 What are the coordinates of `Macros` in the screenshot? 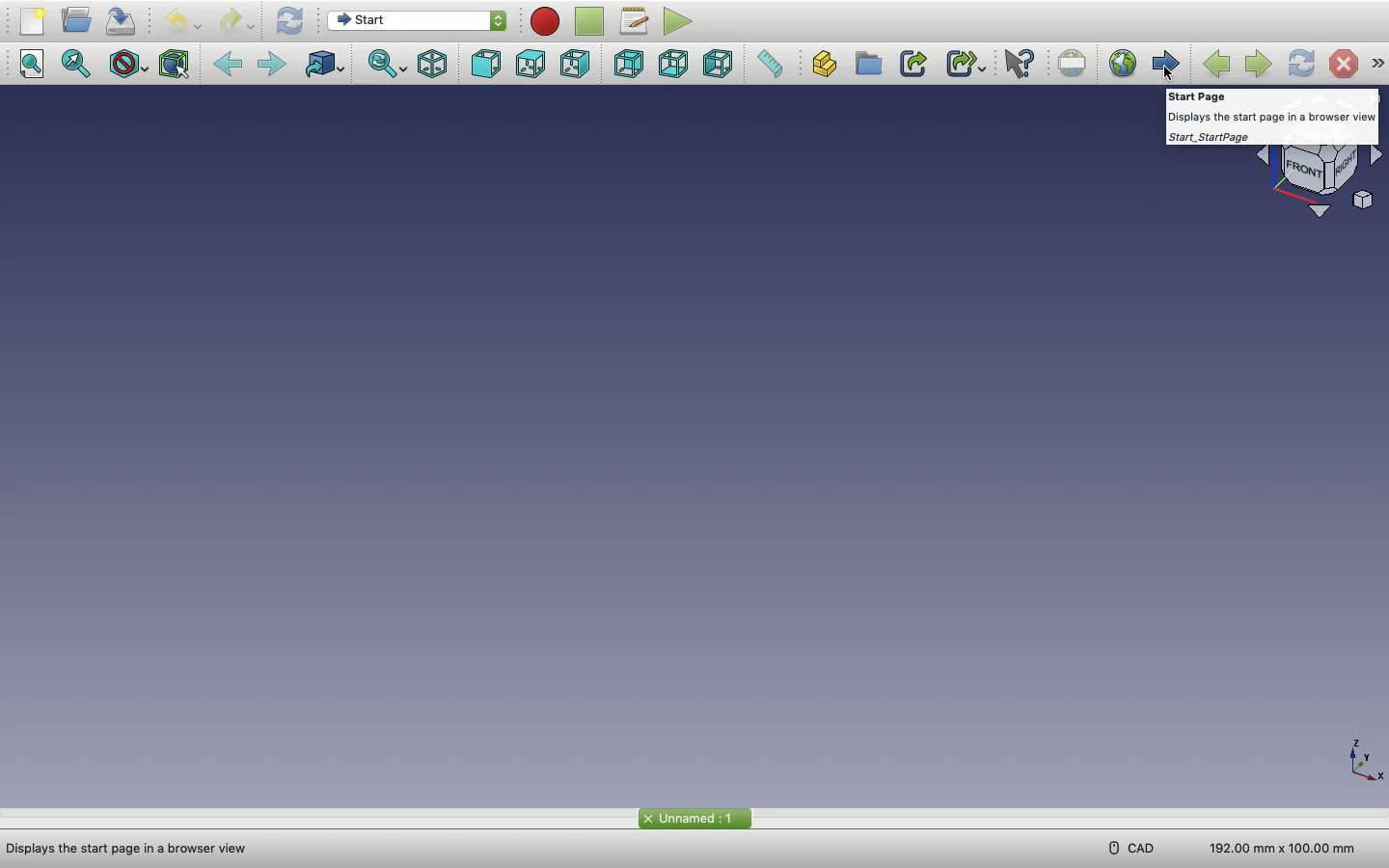 It's located at (636, 23).